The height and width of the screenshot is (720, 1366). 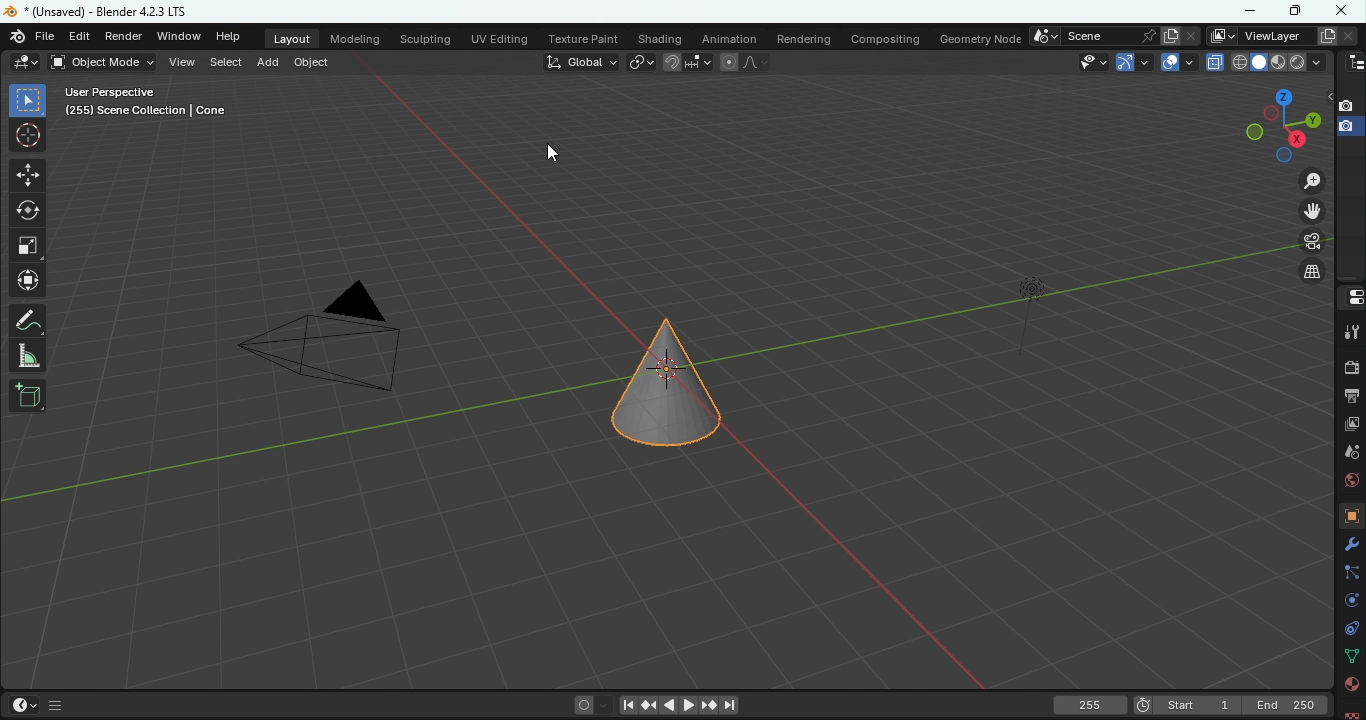 What do you see at coordinates (1091, 62) in the screenshot?
I see `Selectability and visibility` at bounding box center [1091, 62].